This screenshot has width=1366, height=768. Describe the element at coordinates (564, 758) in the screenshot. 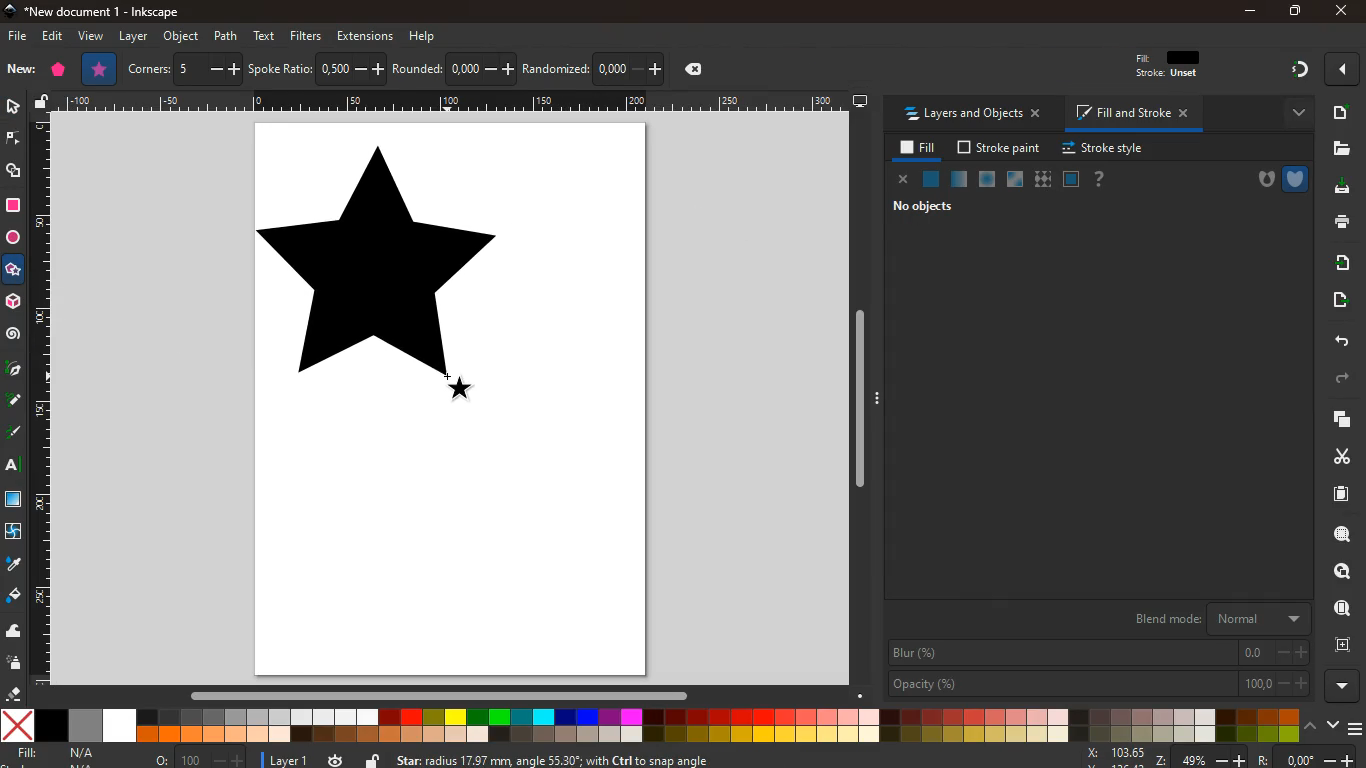

I see `Star: radius 17.97 mm angle 55.30; with Ctrl to snap angle` at that location.